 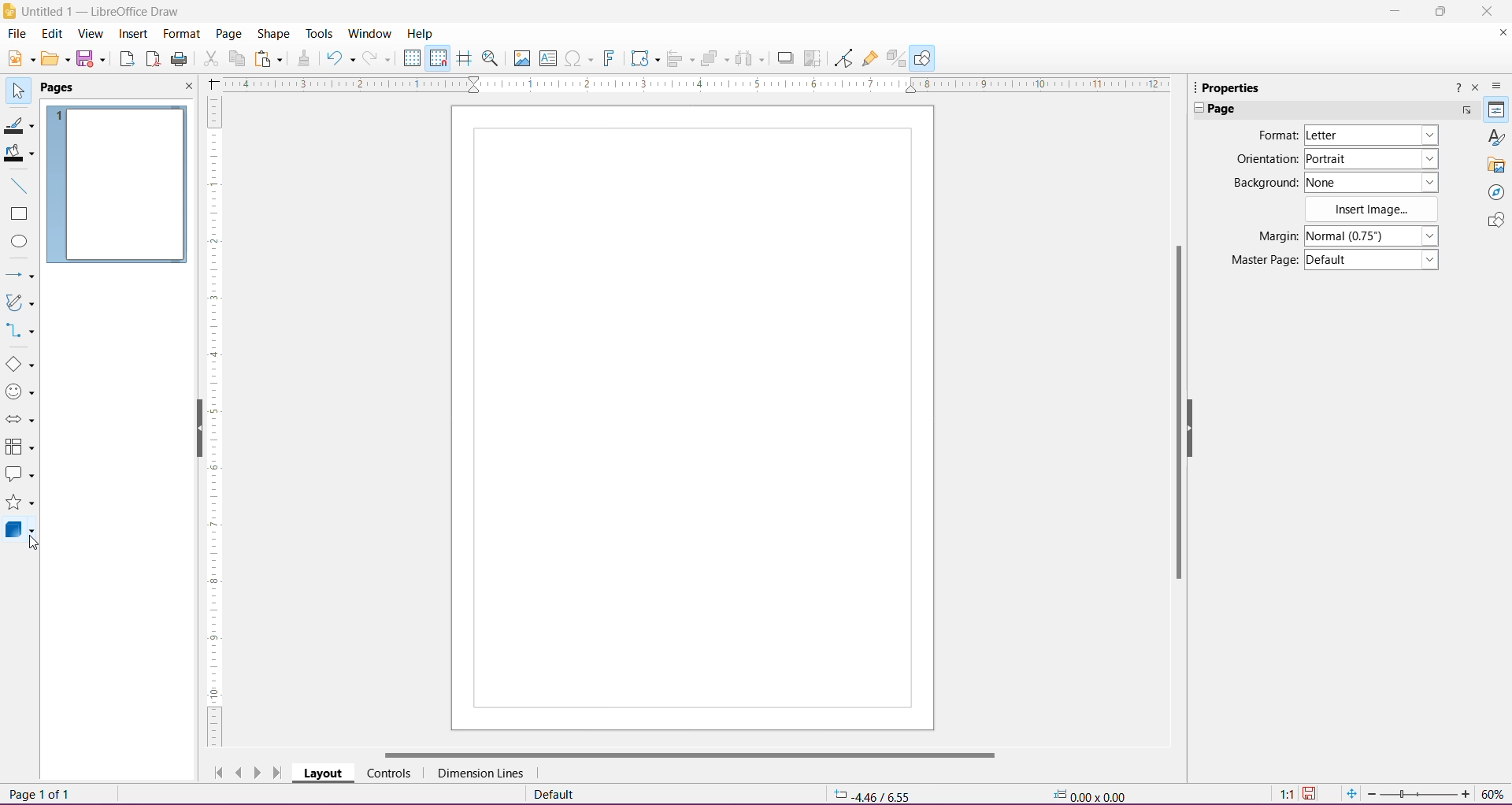 What do you see at coordinates (180, 60) in the screenshot?
I see `Print` at bounding box center [180, 60].